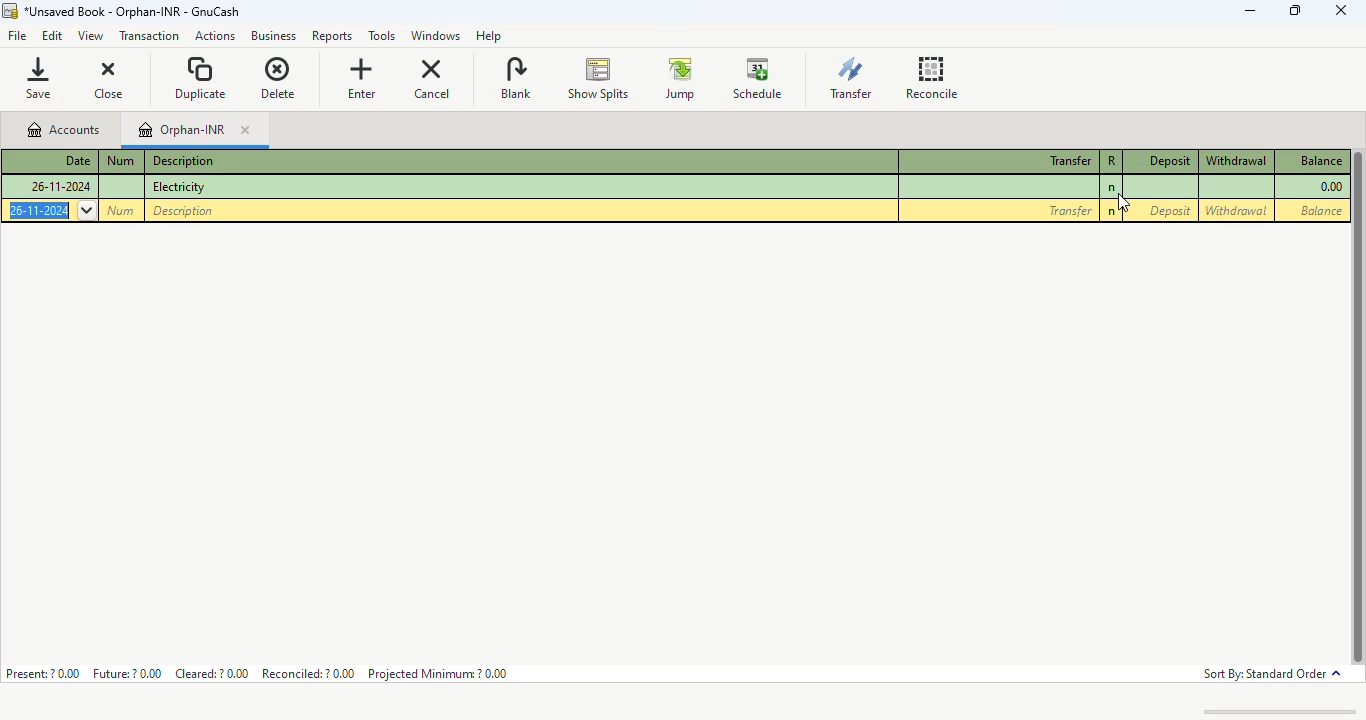 This screenshot has height=720, width=1366. Describe the element at coordinates (122, 210) in the screenshot. I see `num` at that location.